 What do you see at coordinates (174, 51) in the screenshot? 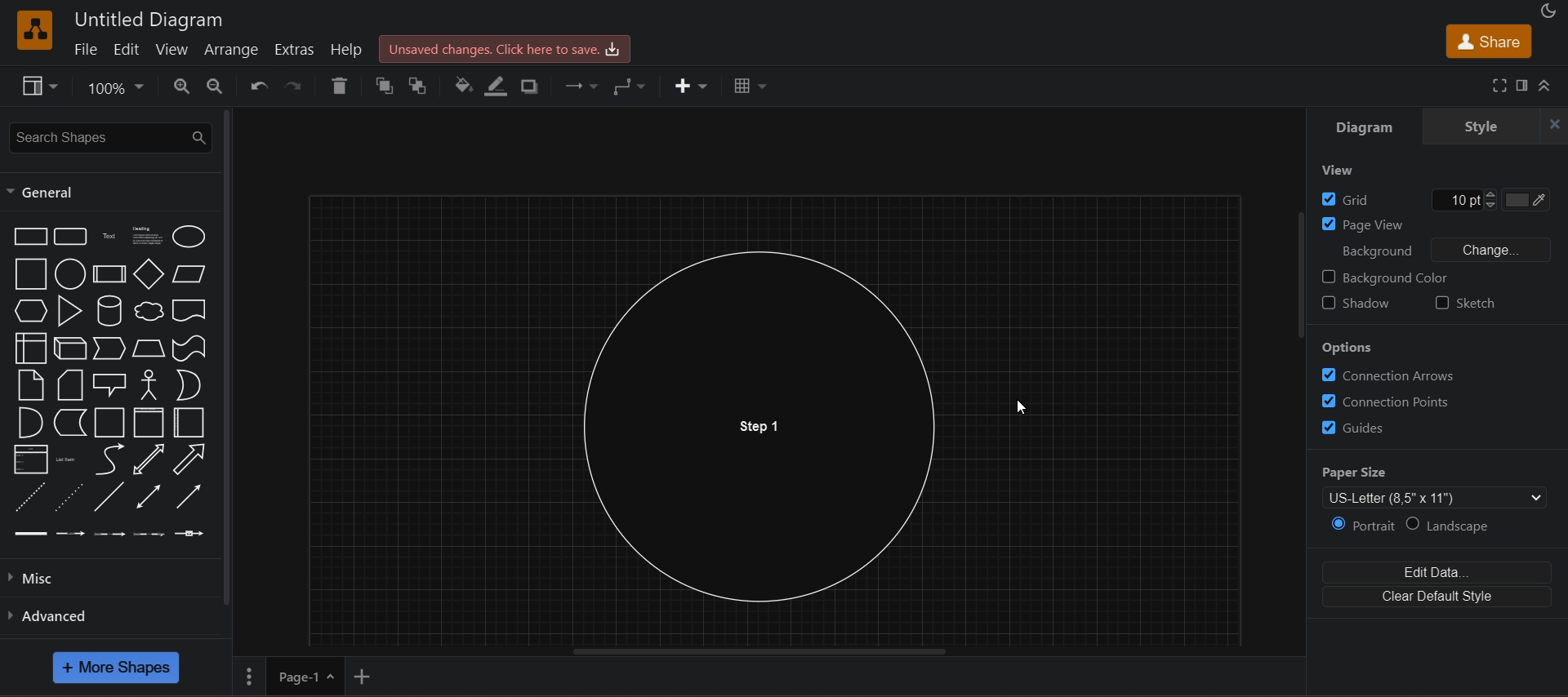
I see `view` at bounding box center [174, 51].